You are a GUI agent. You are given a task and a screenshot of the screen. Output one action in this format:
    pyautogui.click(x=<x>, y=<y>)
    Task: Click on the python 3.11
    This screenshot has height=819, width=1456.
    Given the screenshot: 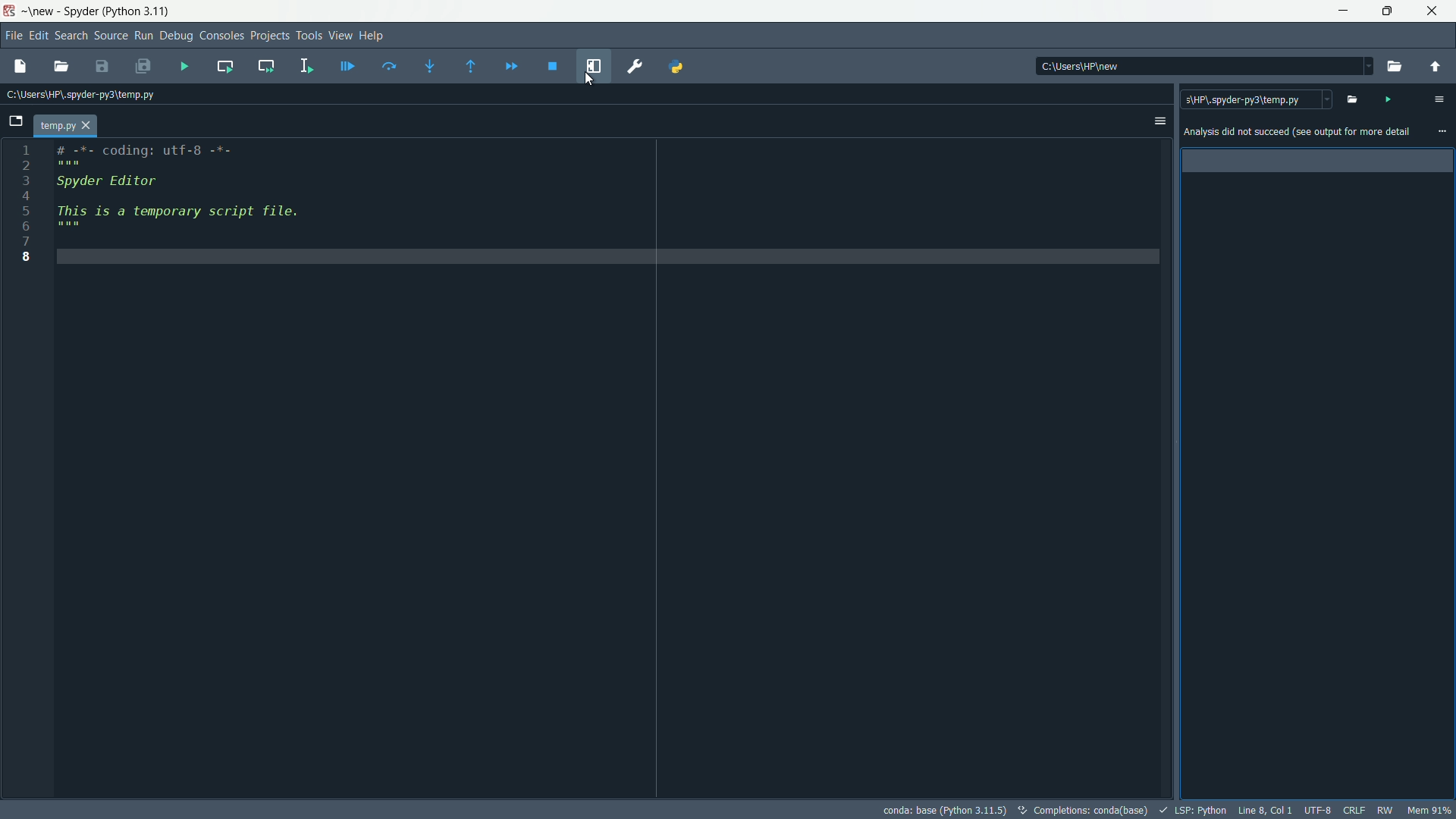 What is the action you would take?
    pyautogui.click(x=138, y=12)
    